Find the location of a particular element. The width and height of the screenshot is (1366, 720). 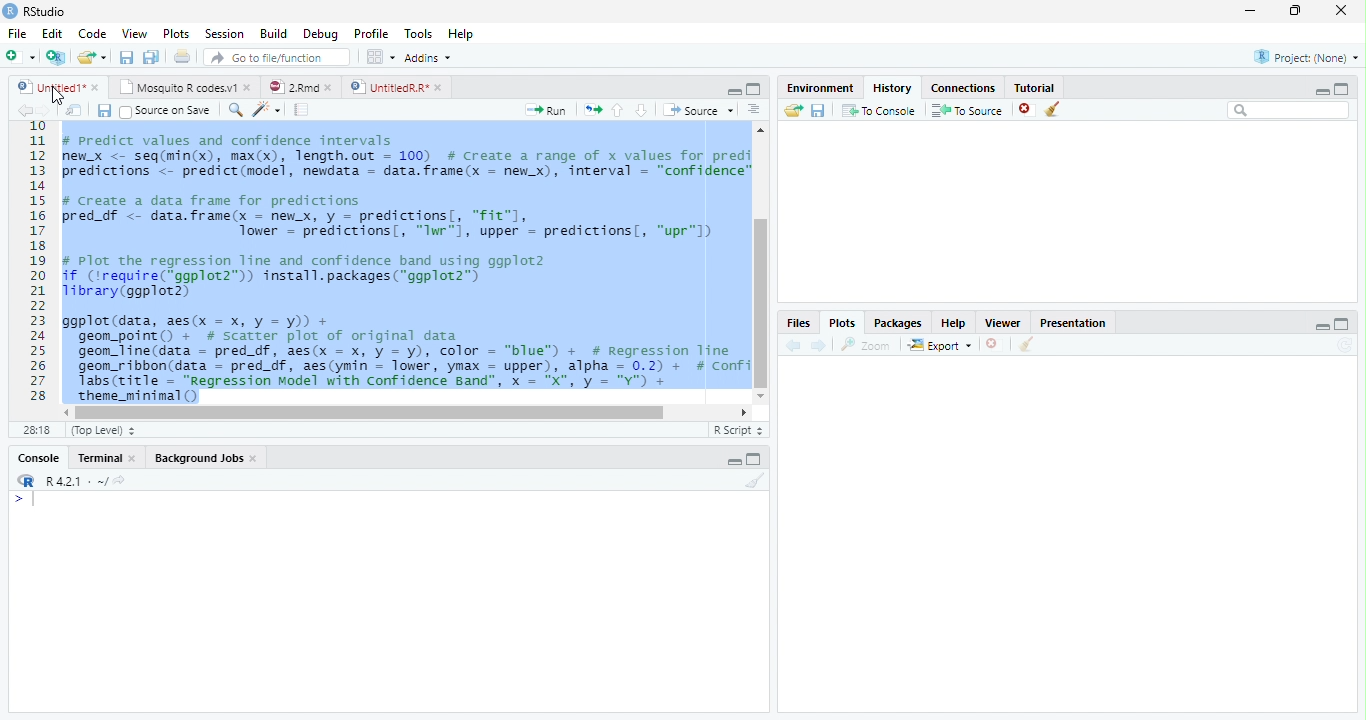

Source on save is located at coordinates (166, 110).